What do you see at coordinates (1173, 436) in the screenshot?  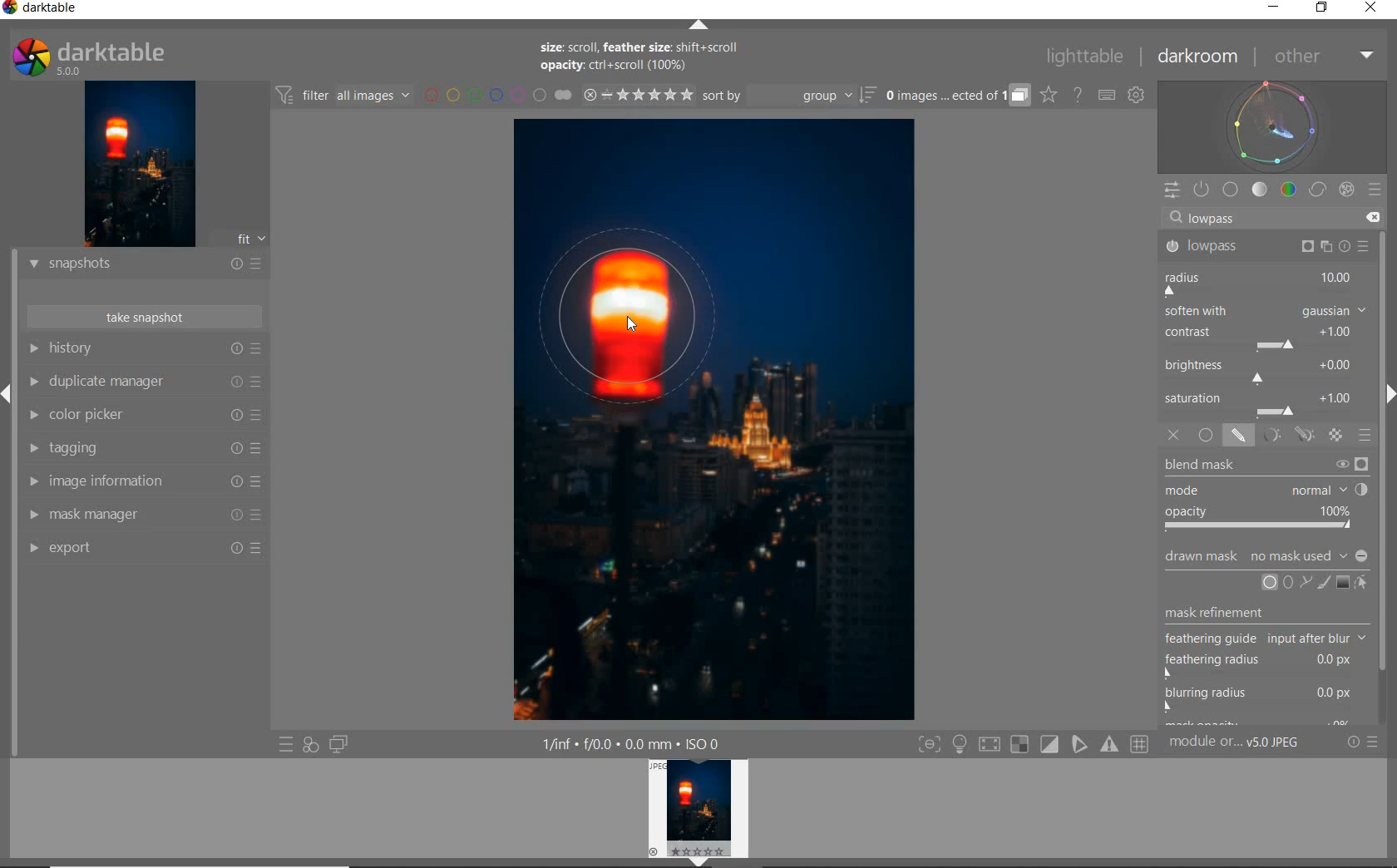 I see `OFF` at bounding box center [1173, 436].